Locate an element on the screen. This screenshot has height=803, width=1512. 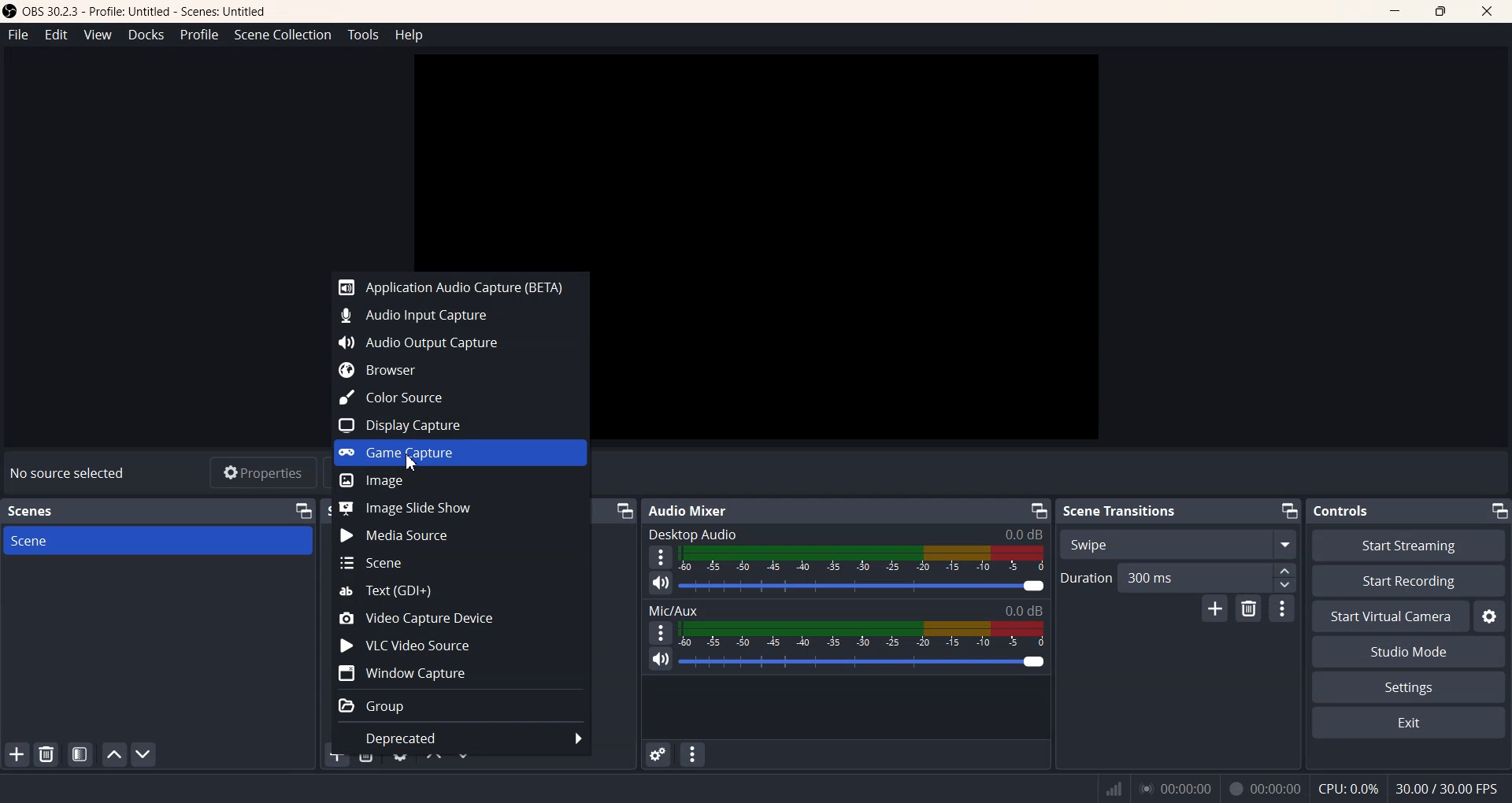
Studio Mode is located at coordinates (1410, 652).